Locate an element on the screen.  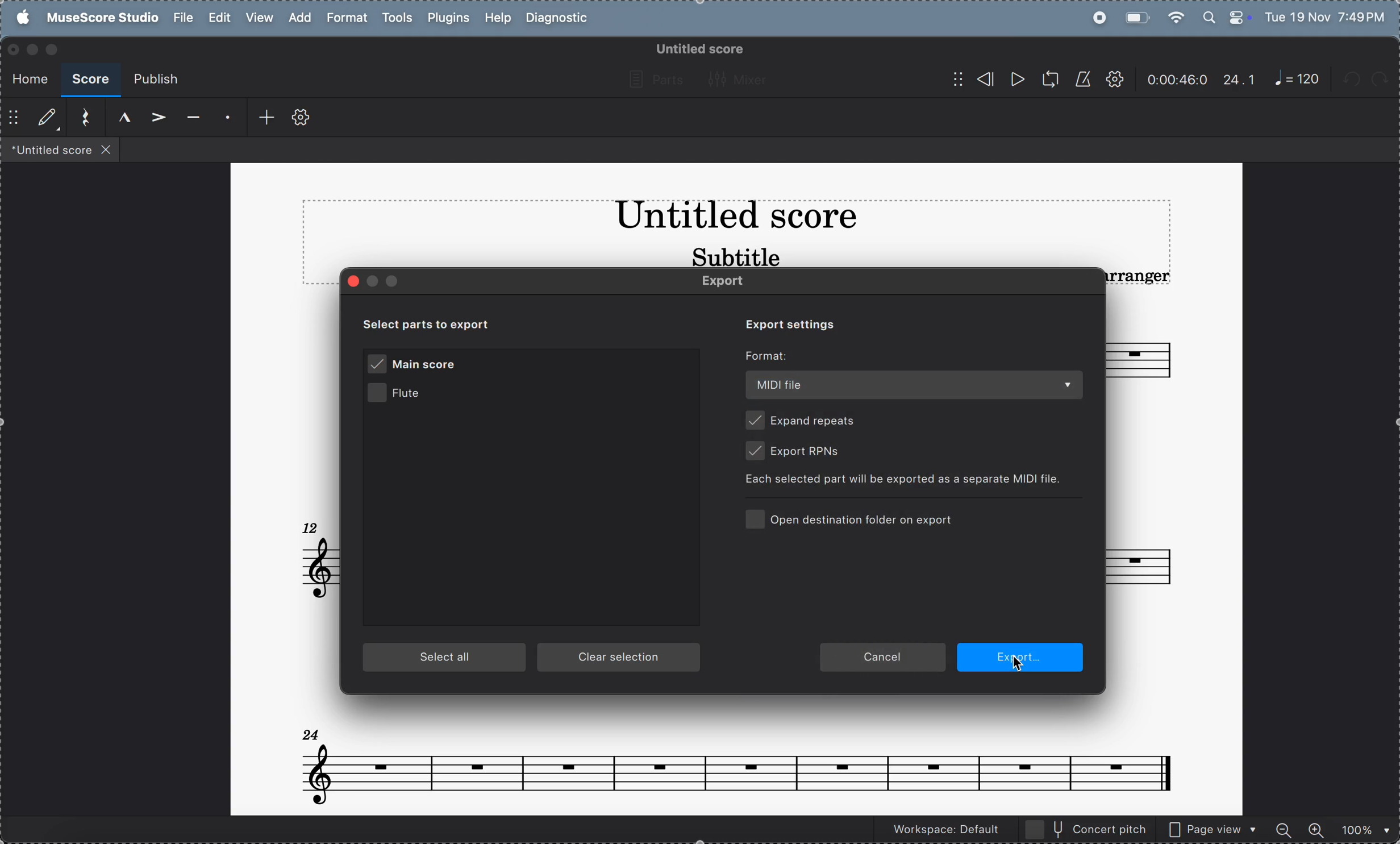
Export is located at coordinates (733, 282).